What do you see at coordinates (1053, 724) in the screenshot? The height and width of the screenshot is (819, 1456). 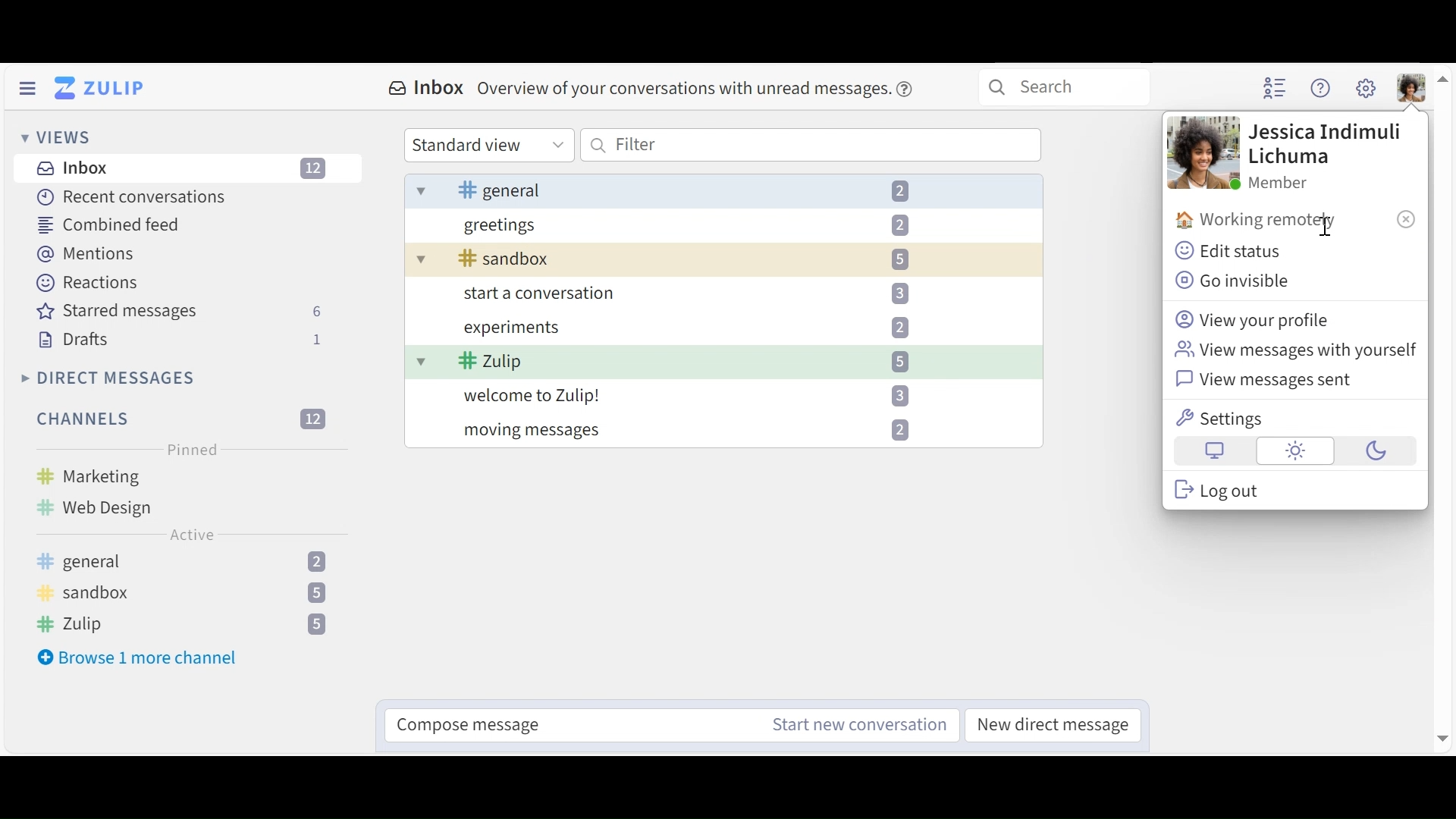 I see `New direct message` at bounding box center [1053, 724].